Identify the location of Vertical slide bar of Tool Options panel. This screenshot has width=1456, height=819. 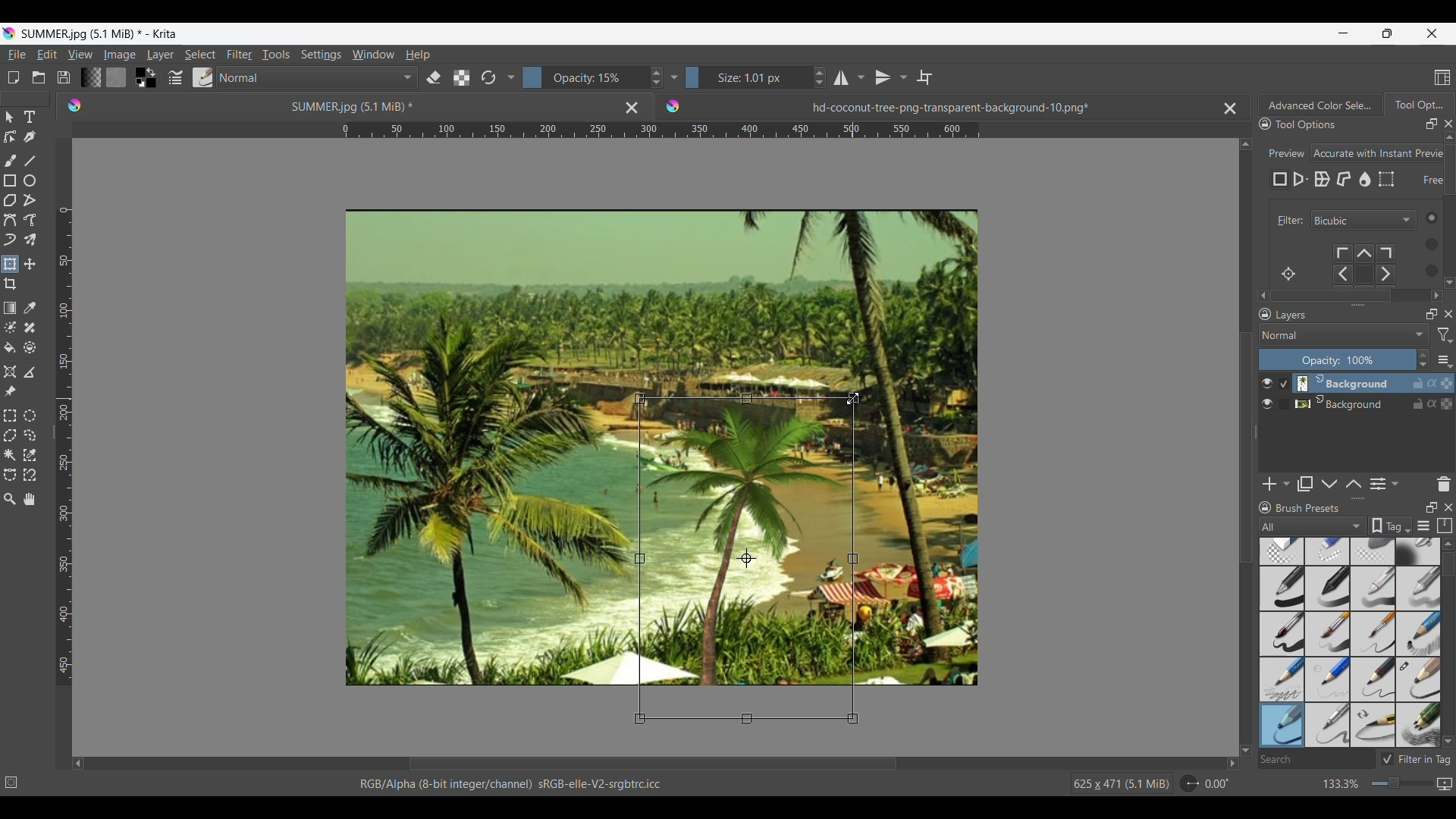
(1452, 207).